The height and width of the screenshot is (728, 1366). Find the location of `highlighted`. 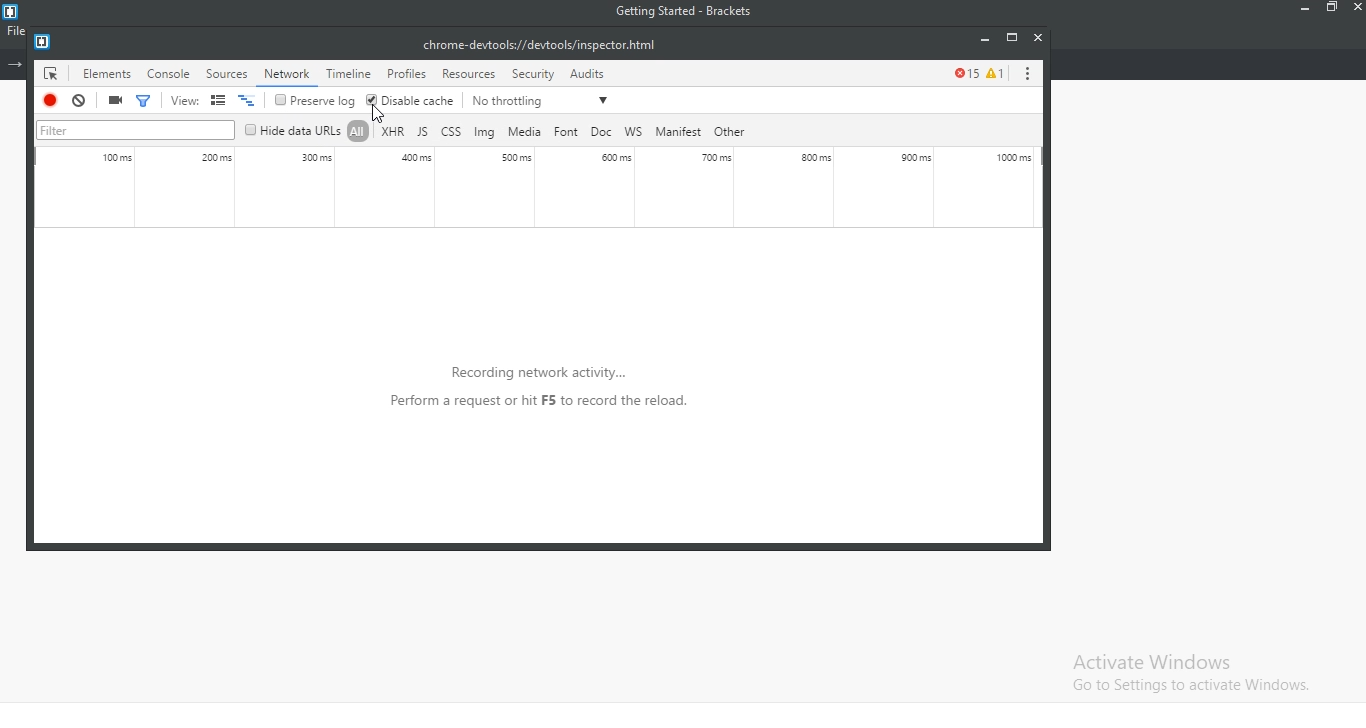

highlighted is located at coordinates (289, 73).